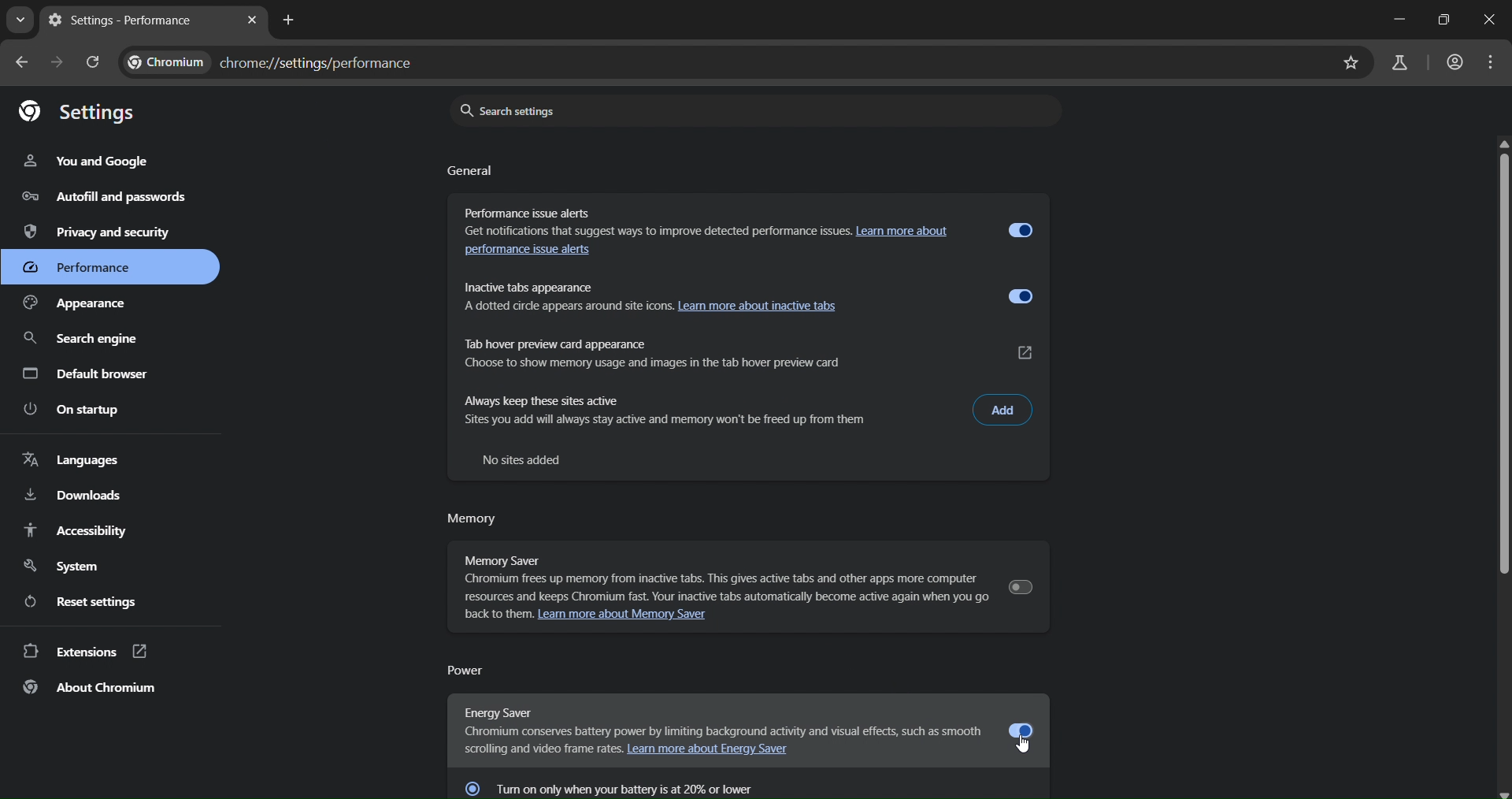  What do you see at coordinates (56, 62) in the screenshot?
I see `go forward one page` at bounding box center [56, 62].